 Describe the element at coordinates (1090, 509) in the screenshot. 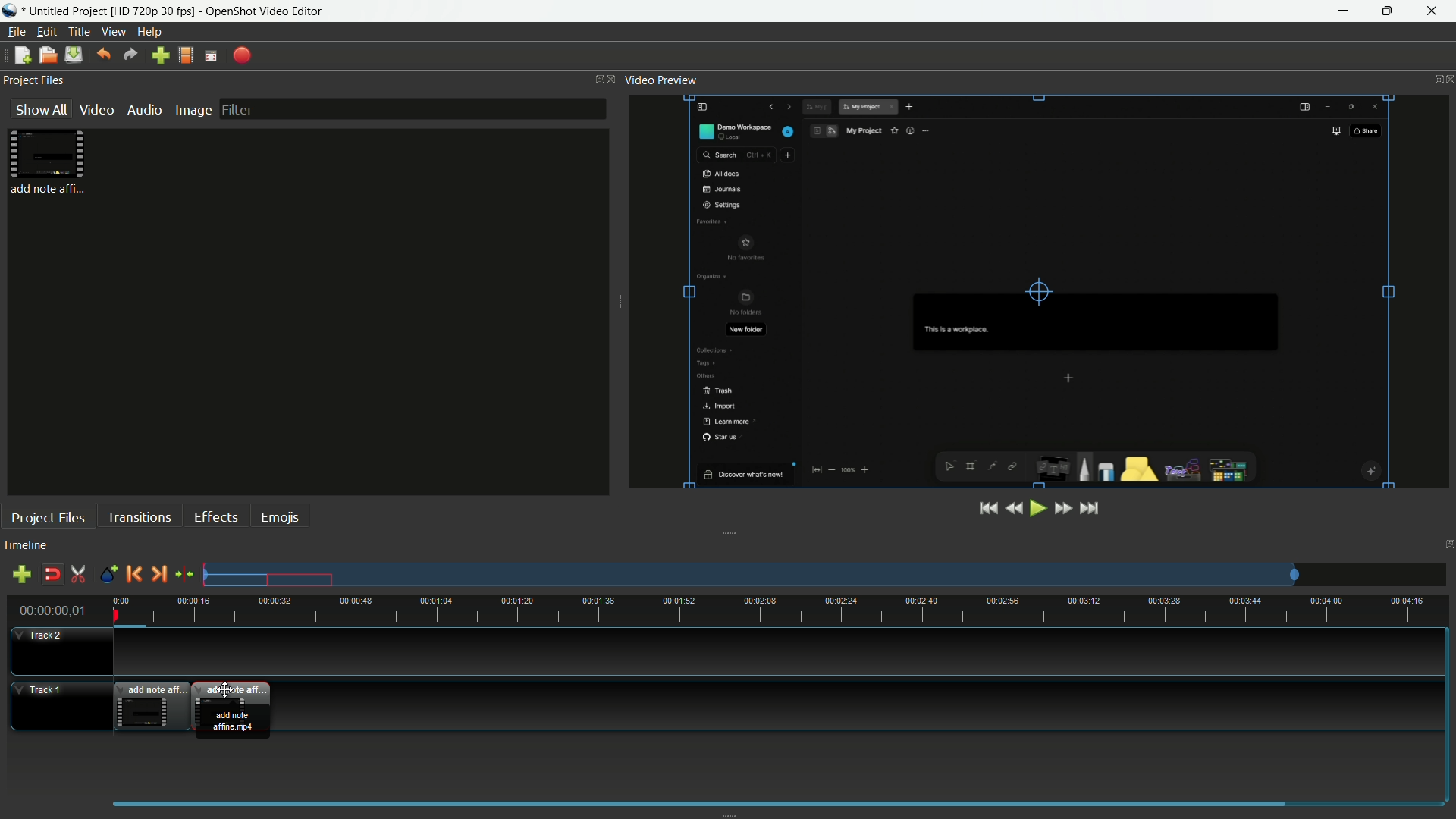

I see `jump to end` at that location.